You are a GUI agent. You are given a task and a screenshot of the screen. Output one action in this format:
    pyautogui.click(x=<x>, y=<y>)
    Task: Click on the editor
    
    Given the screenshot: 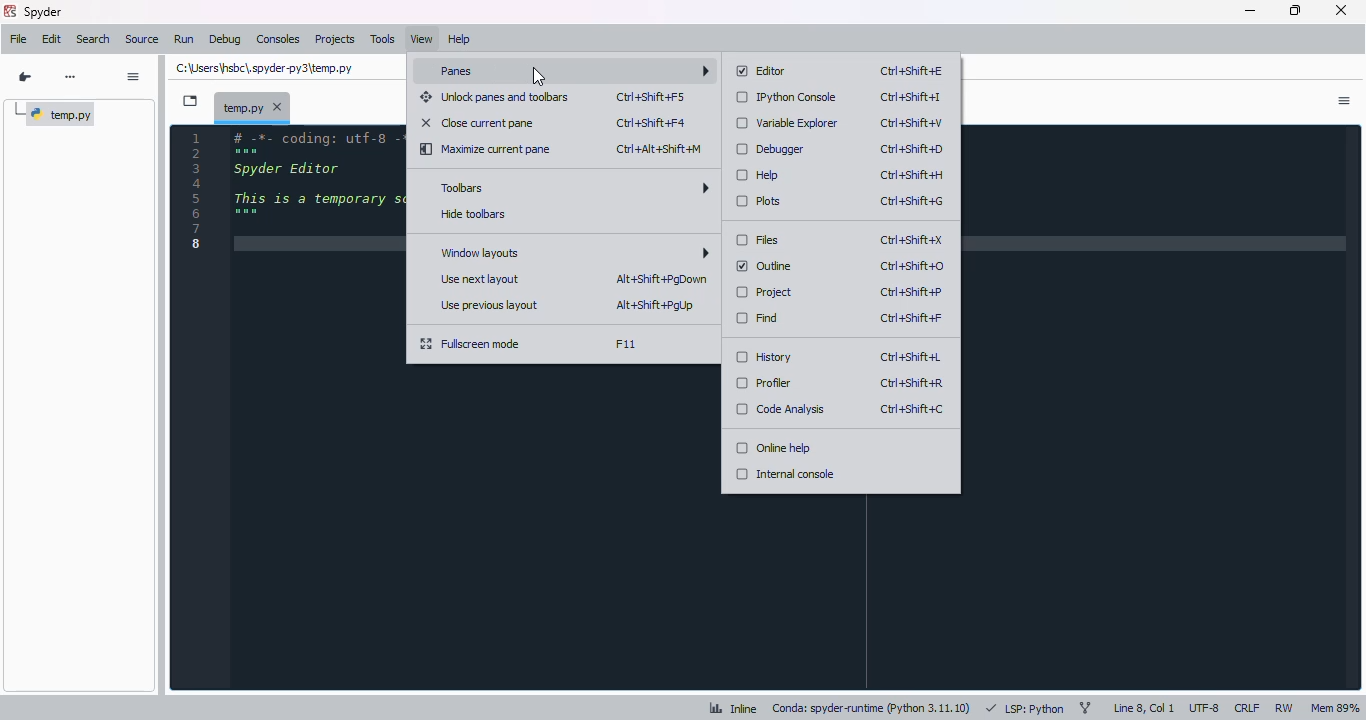 What is the action you would take?
    pyautogui.click(x=316, y=406)
    